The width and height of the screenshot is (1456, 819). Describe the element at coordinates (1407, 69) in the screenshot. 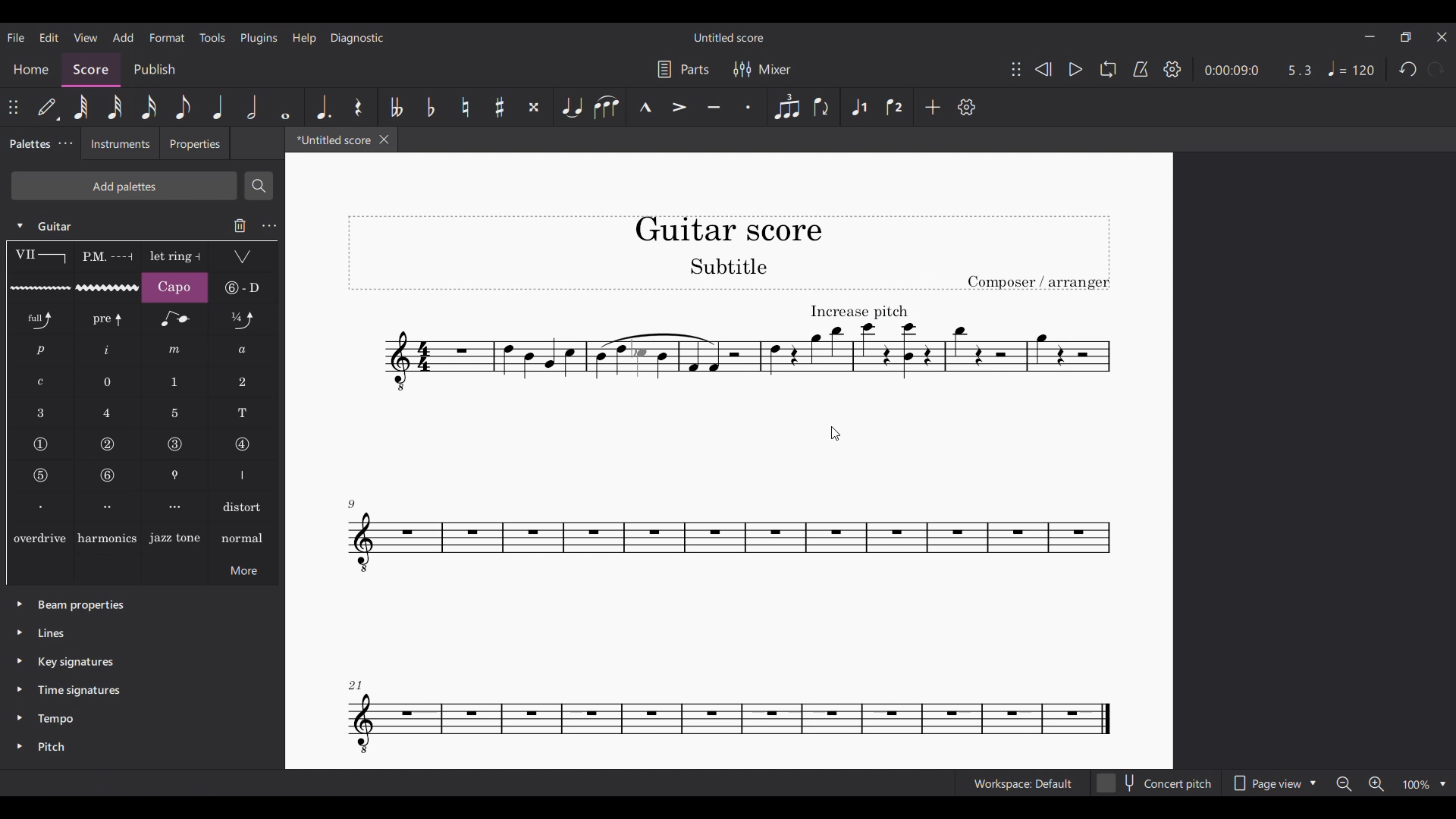

I see `Undo` at that location.